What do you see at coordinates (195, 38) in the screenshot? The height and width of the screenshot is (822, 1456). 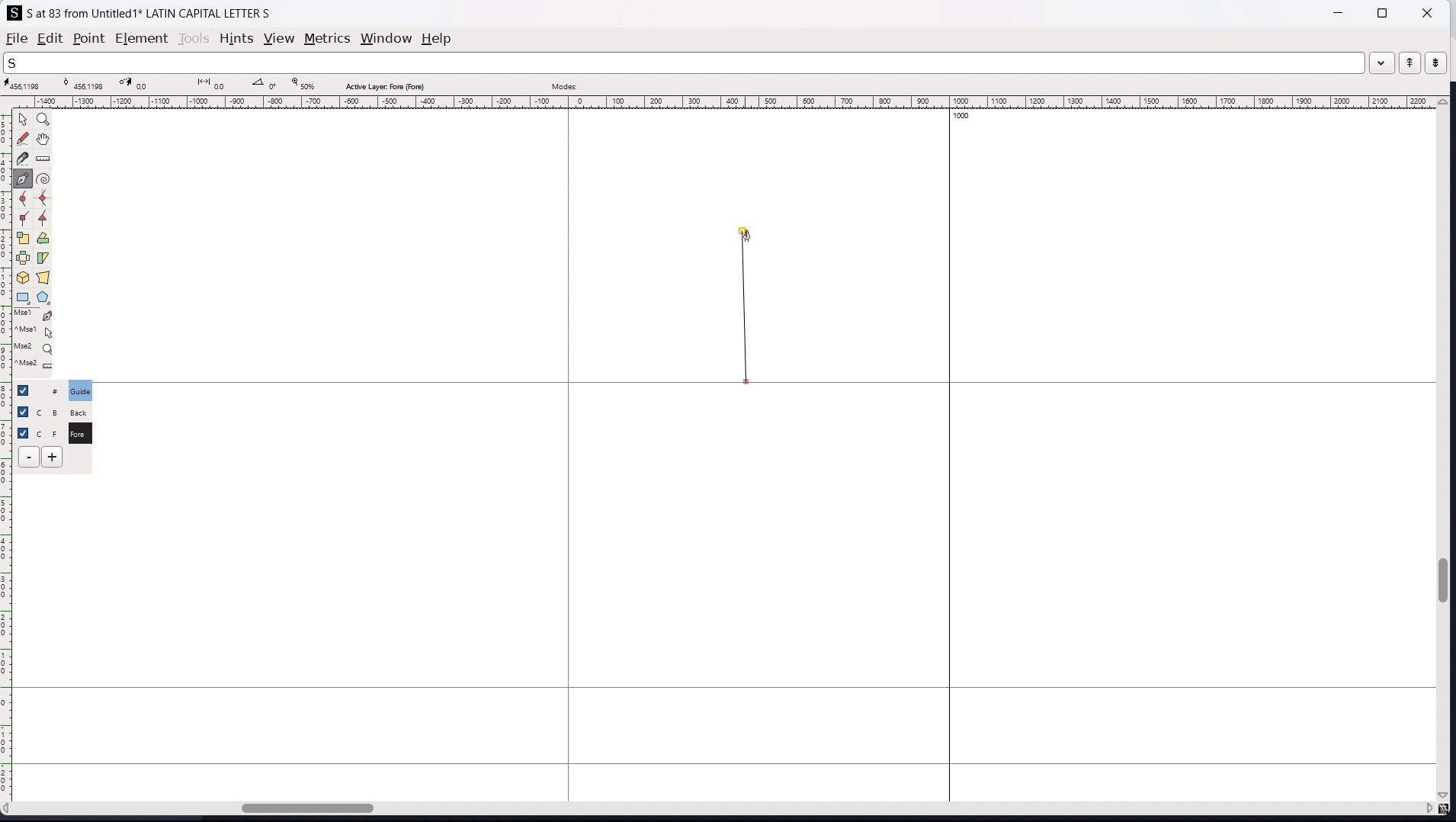 I see `tools` at bounding box center [195, 38].